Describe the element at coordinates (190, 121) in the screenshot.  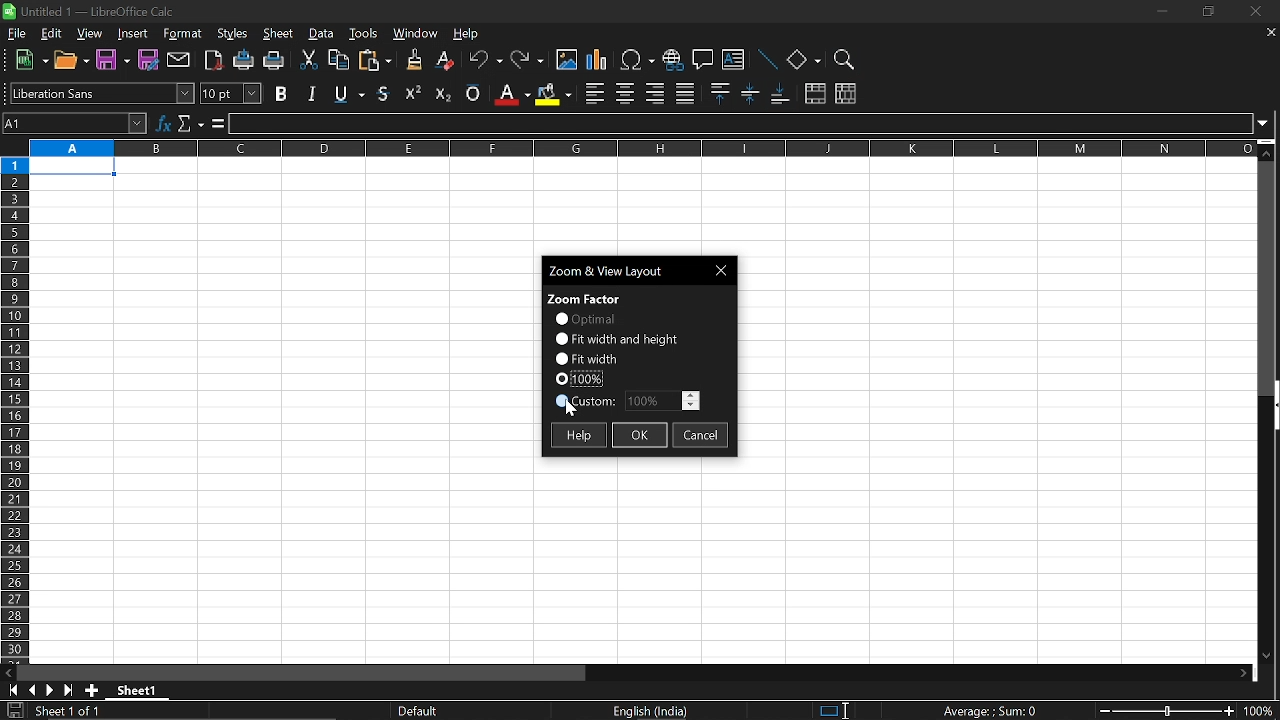
I see `select function` at that location.